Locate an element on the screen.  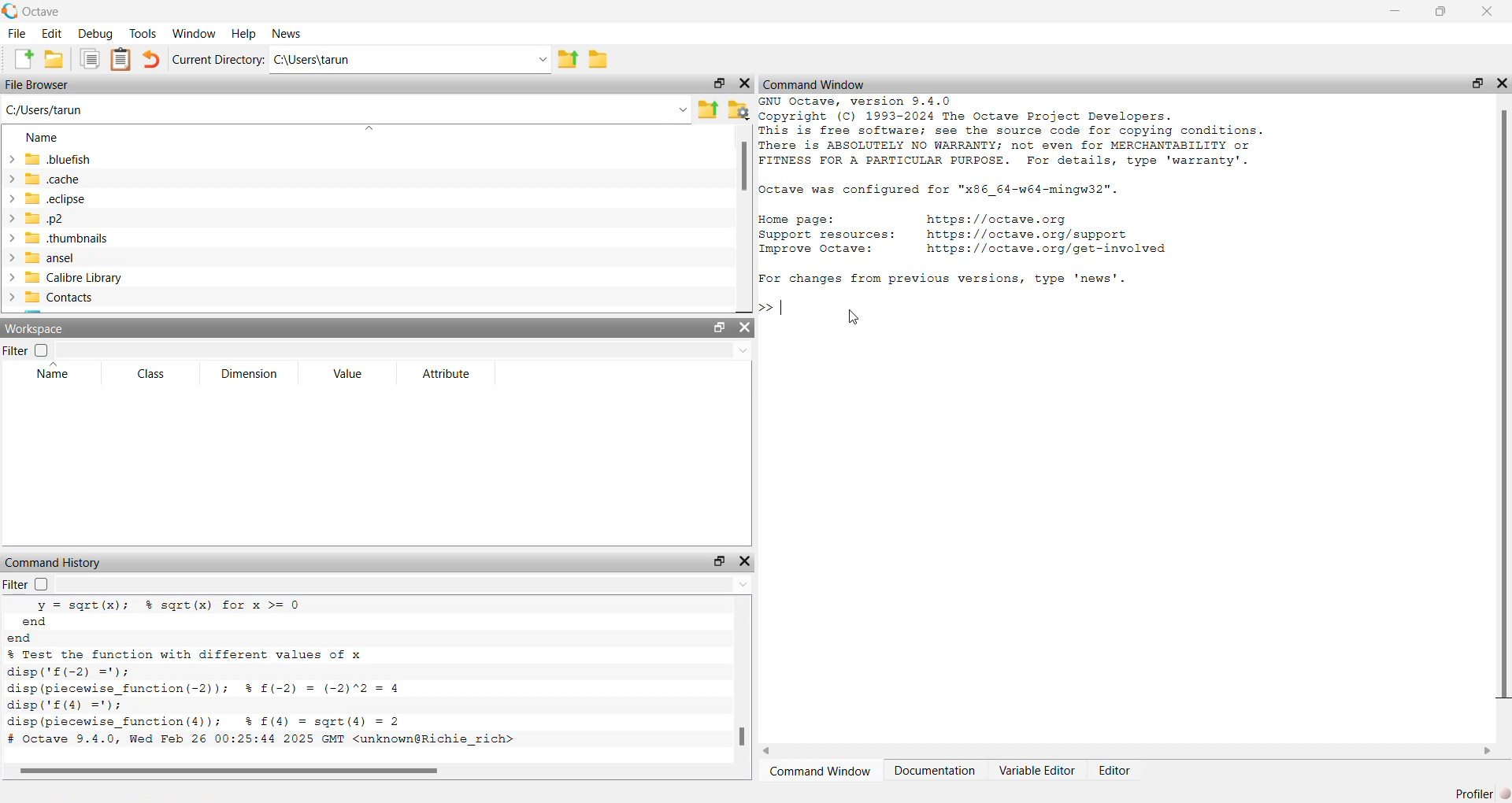
Help is located at coordinates (242, 33).